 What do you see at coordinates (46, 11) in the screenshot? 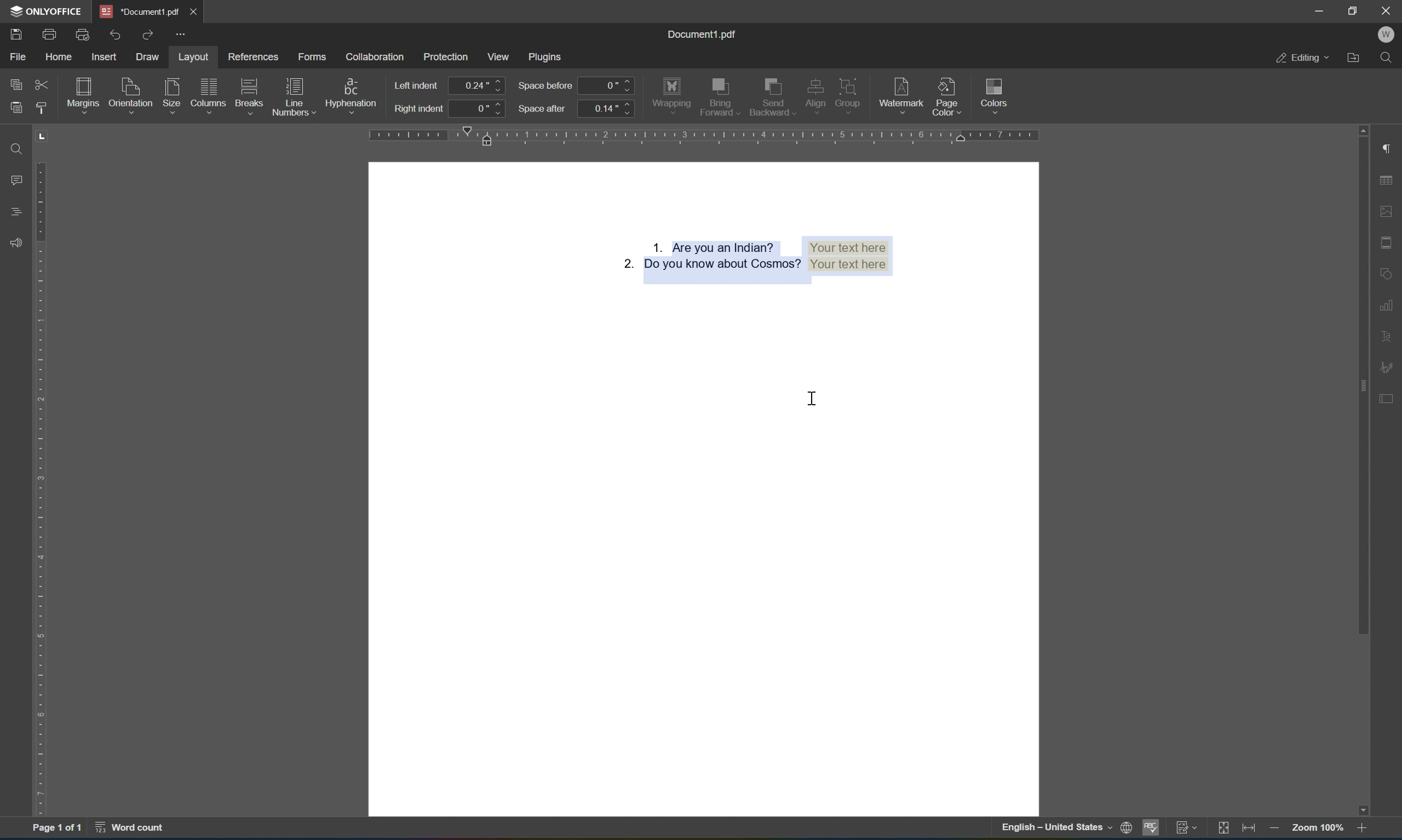
I see `ONLYOFFICE` at bounding box center [46, 11].